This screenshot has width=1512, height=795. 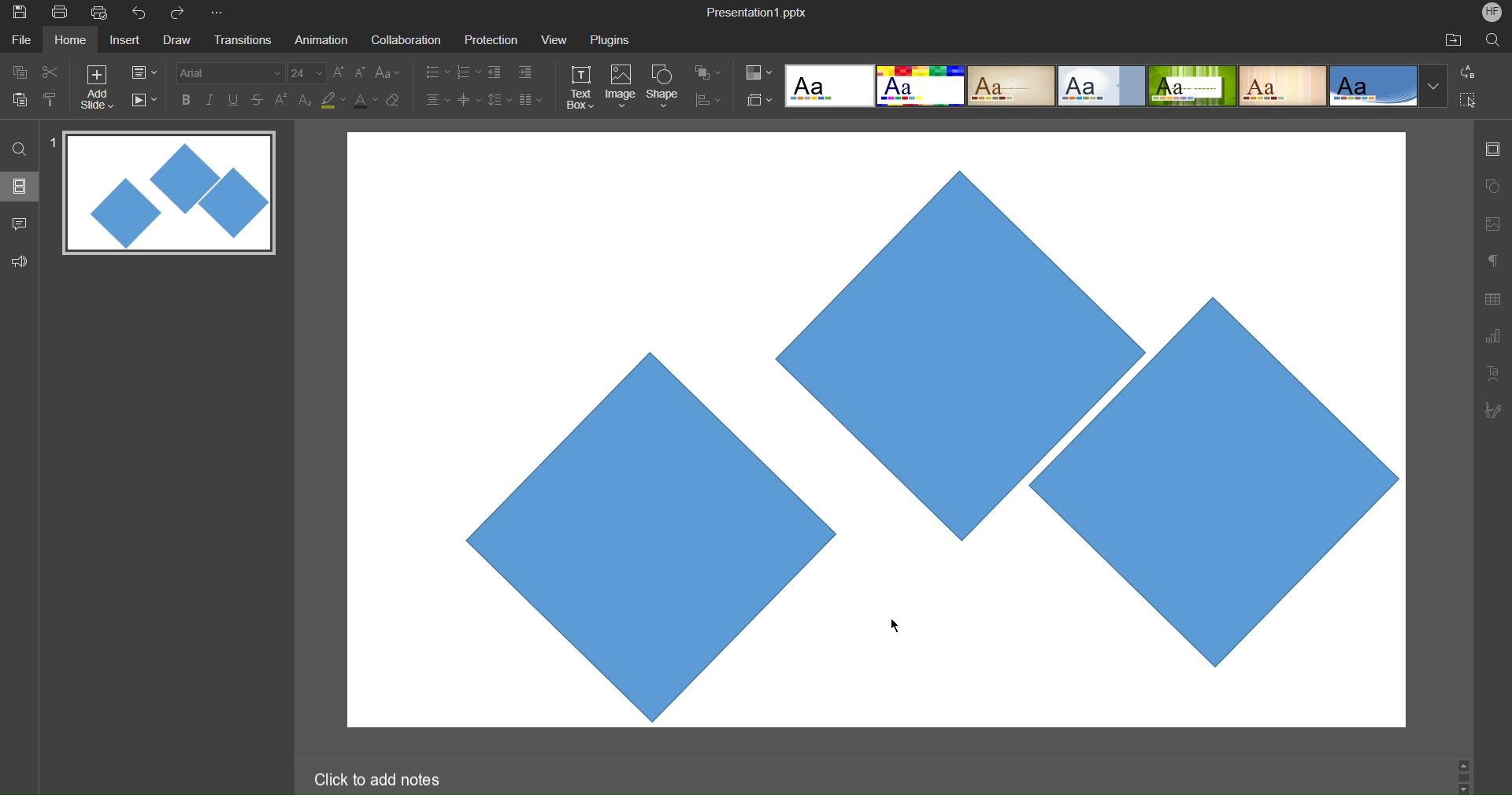 I want to click on Increase Indent, so click(x=525, y=70).